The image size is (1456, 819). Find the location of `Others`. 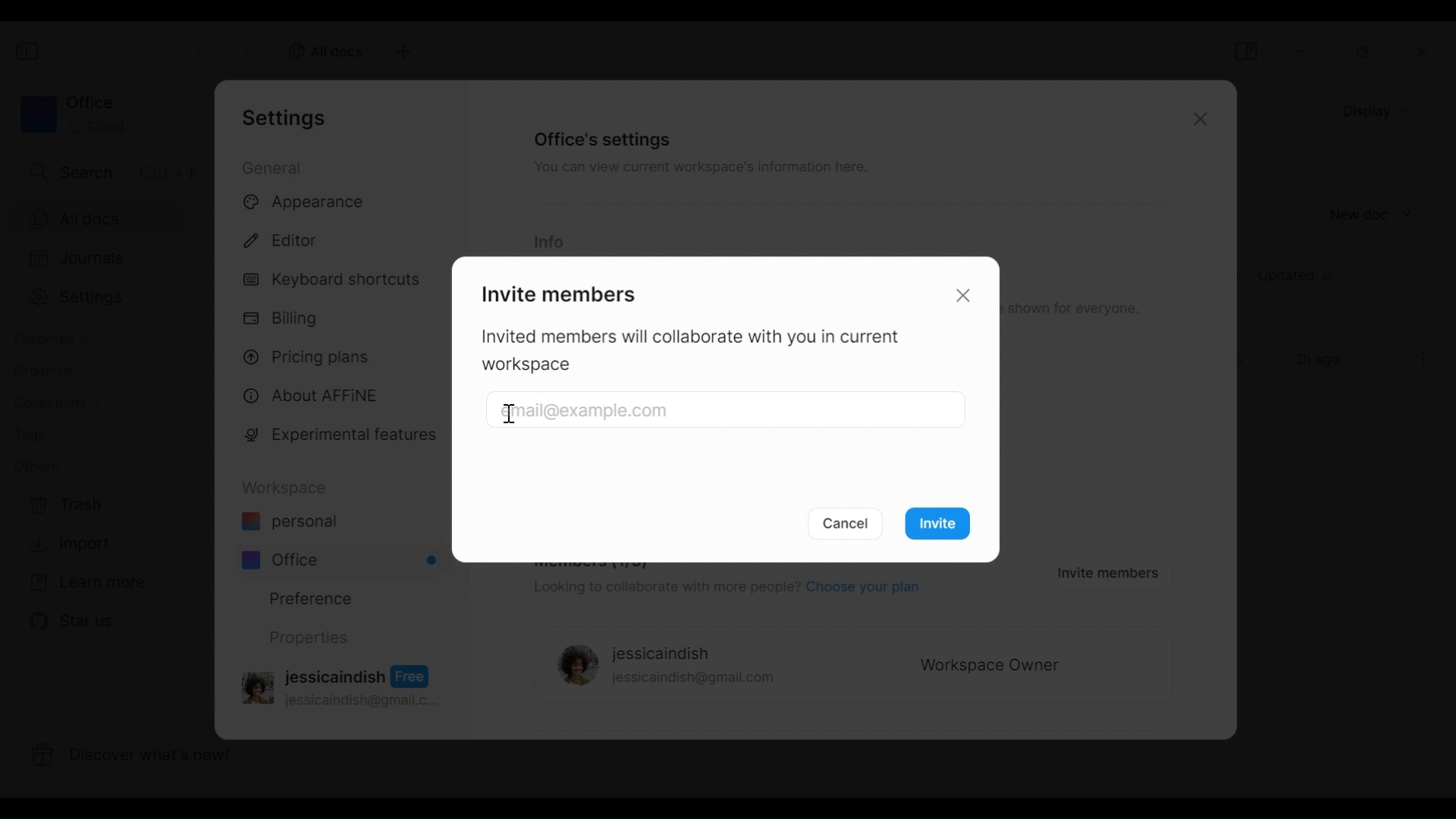

Others is located at coordinates (36, 466).